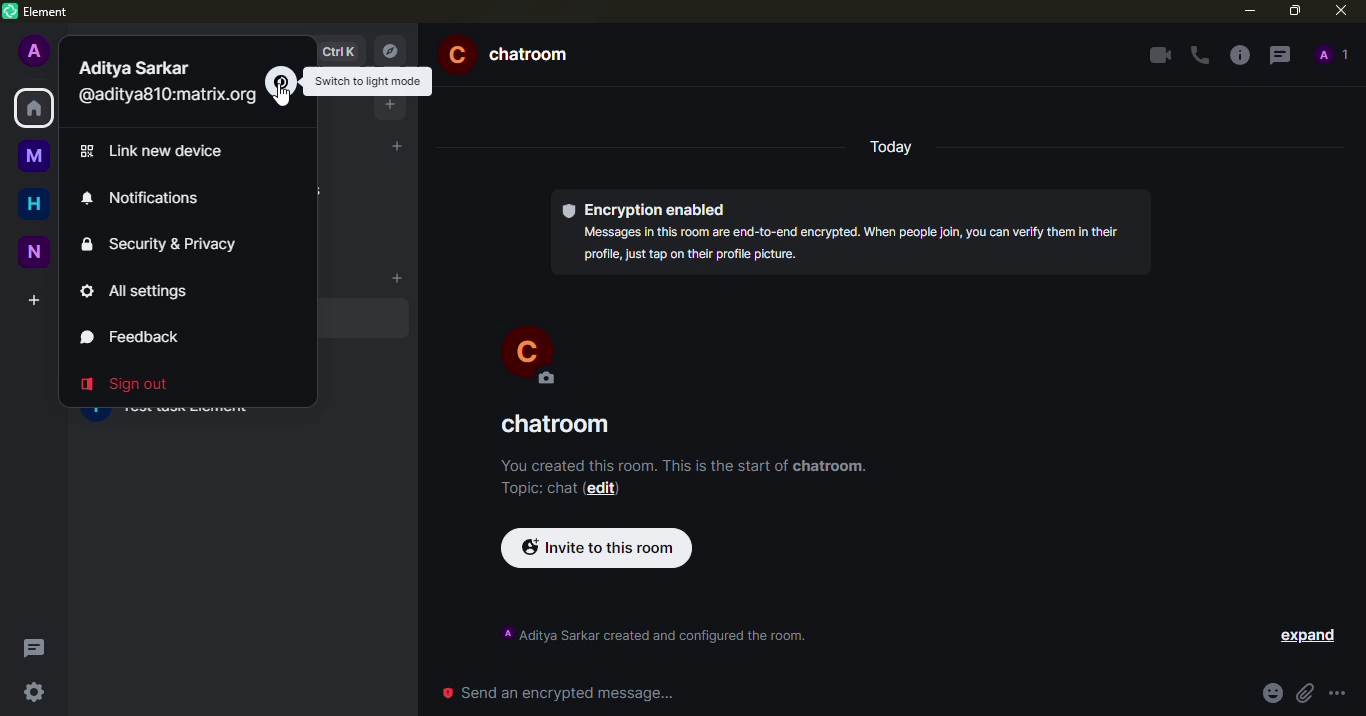  I want to click on element logo, so click(9, 12).